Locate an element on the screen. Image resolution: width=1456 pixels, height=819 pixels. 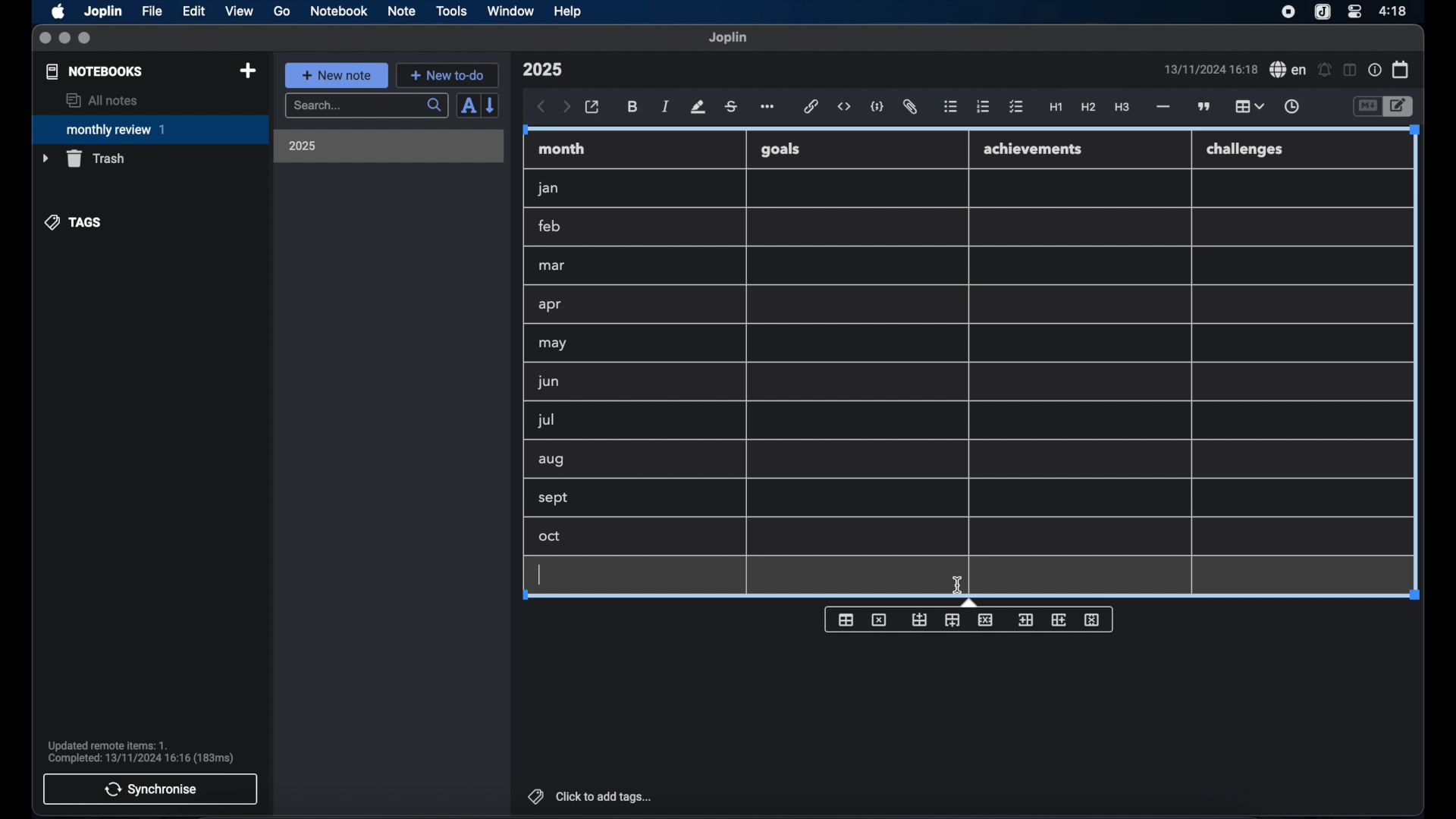
block quotes is located at coordinates (1205, 107).